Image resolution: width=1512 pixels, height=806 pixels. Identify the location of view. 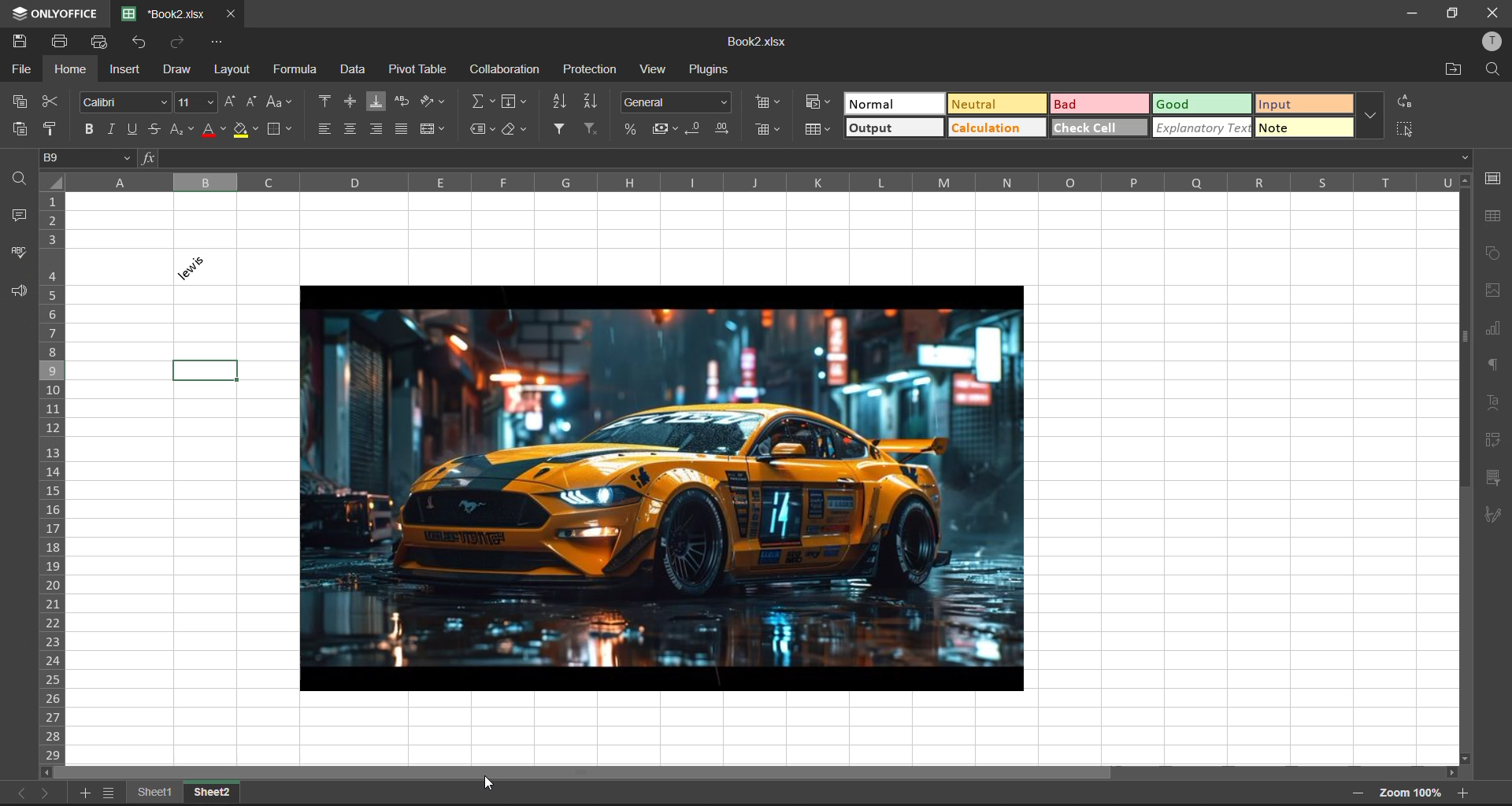
(652, 72).